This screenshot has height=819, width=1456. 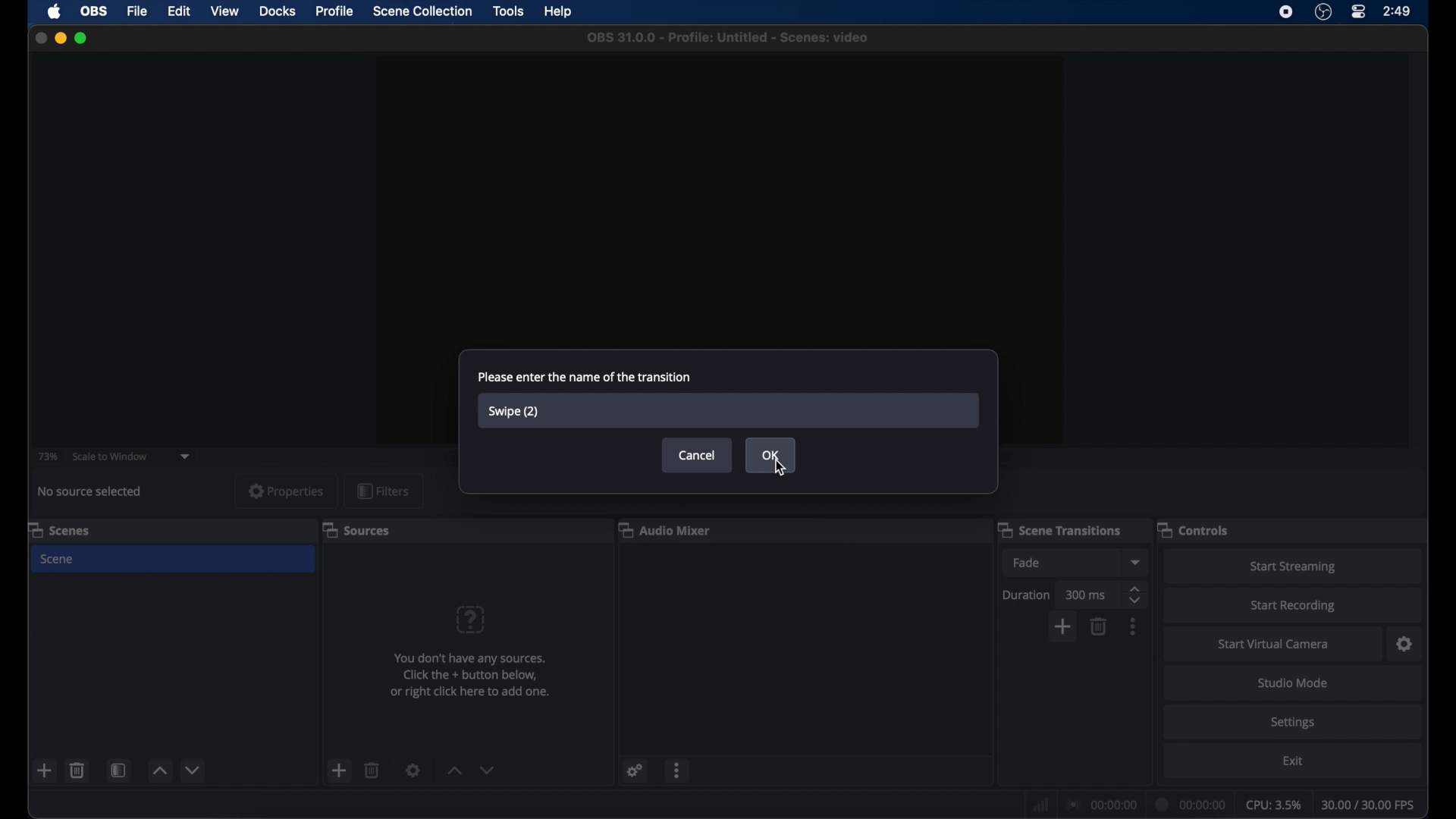 I want to click on audio mixer, so click(x=665, y=529).